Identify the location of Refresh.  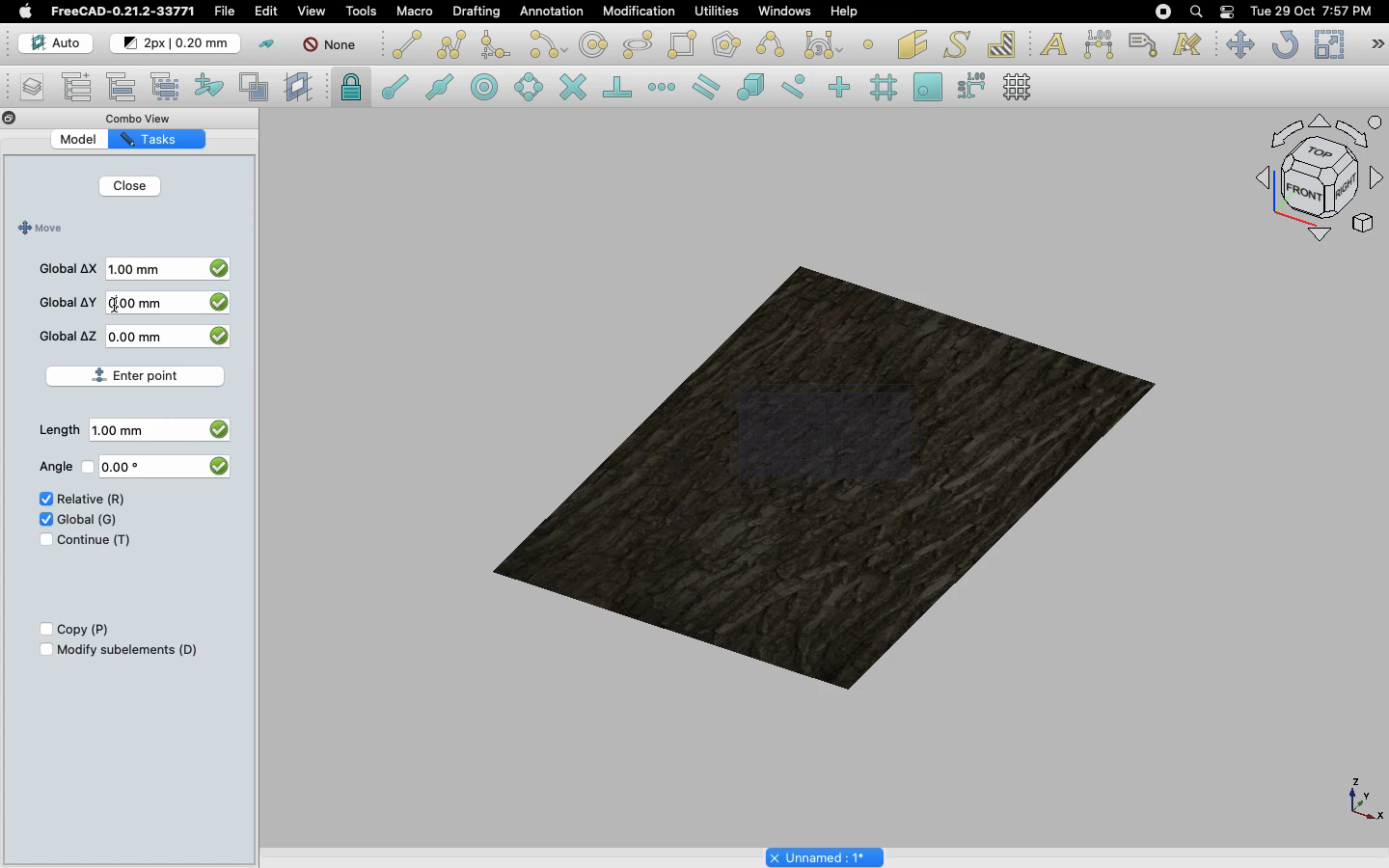
(1285, 46).